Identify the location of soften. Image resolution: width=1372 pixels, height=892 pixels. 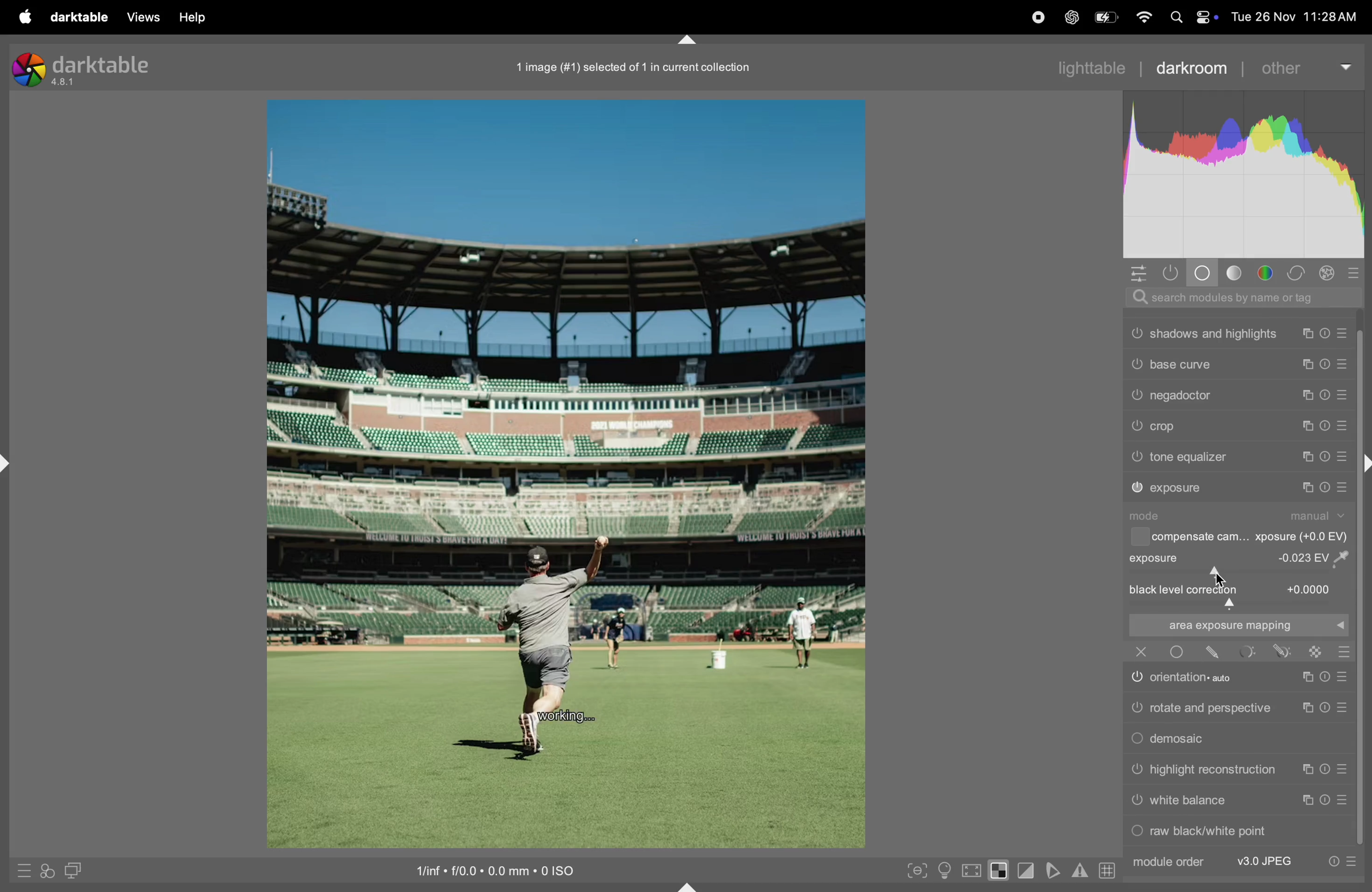
(1055, 870).